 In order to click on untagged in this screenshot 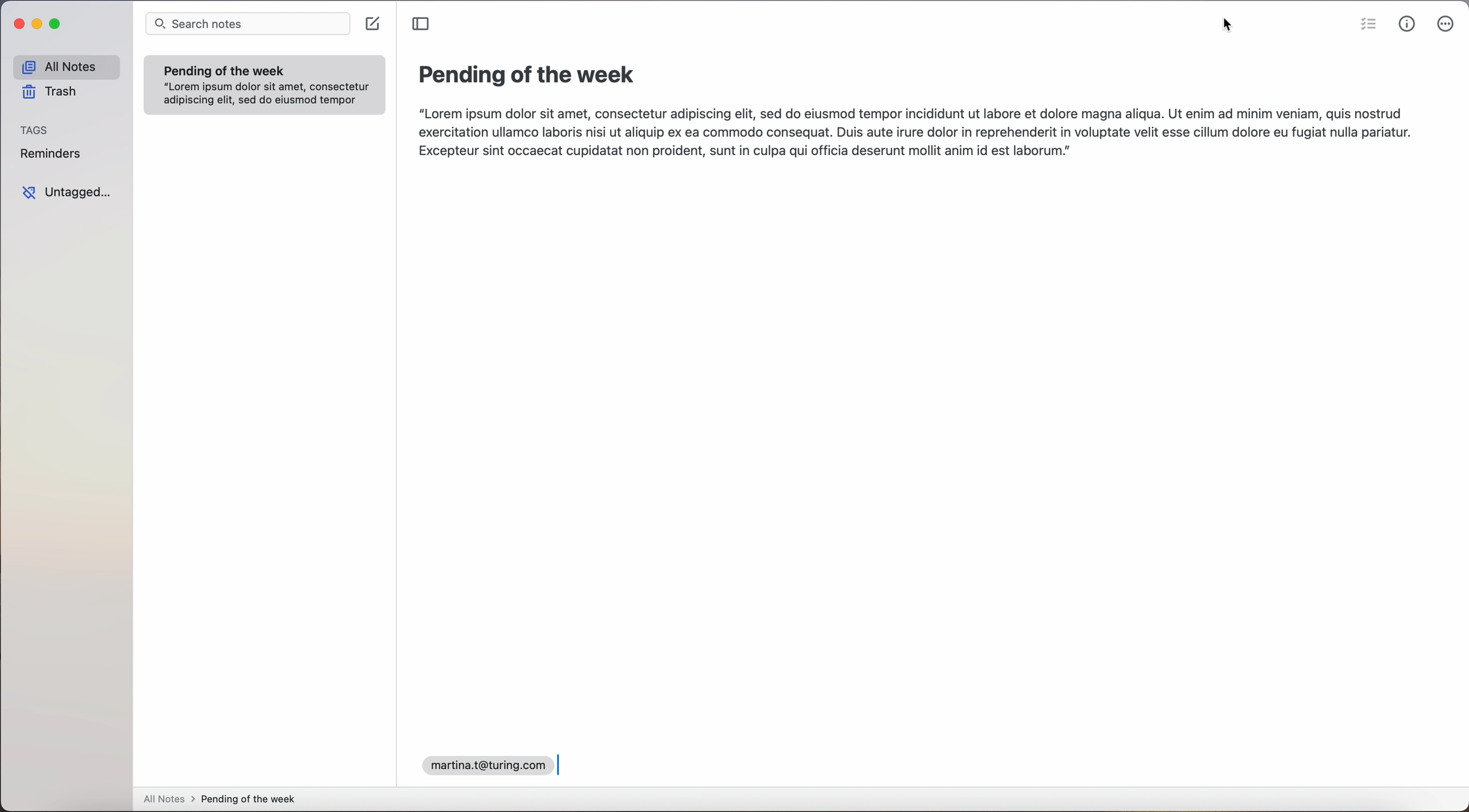, I will do `click(69, 194)`.